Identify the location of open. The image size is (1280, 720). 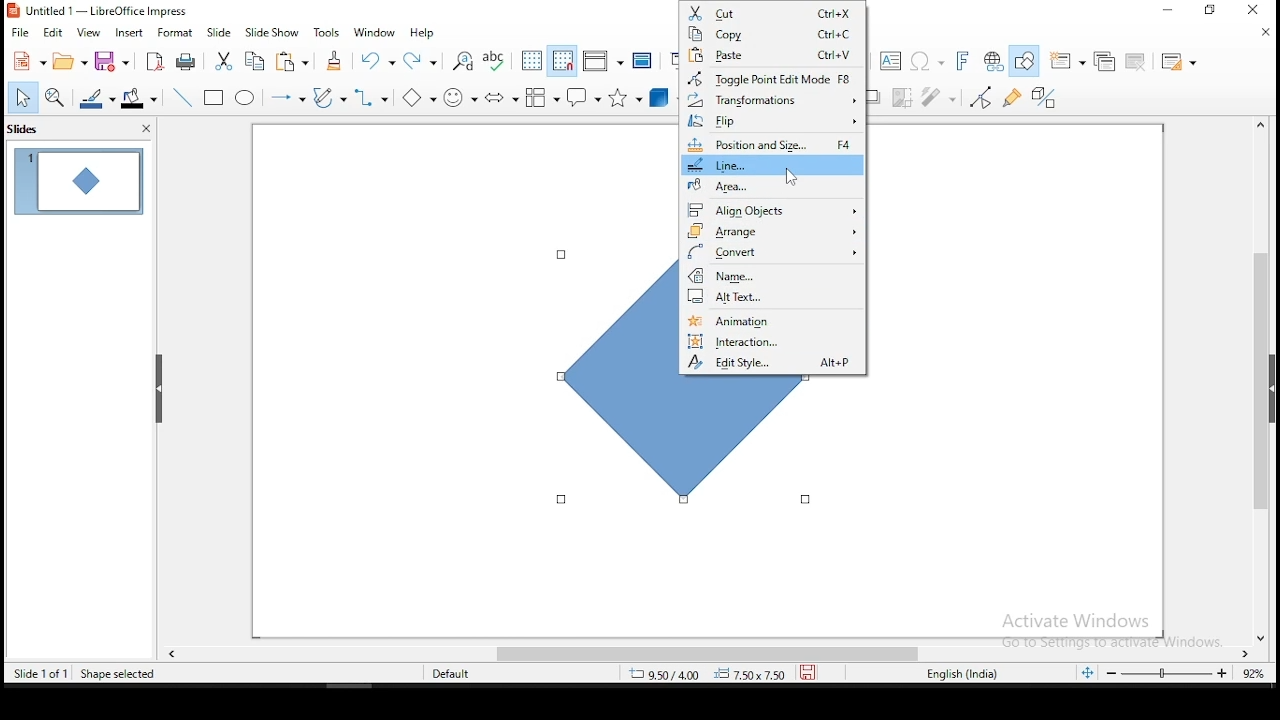
(68, 61).